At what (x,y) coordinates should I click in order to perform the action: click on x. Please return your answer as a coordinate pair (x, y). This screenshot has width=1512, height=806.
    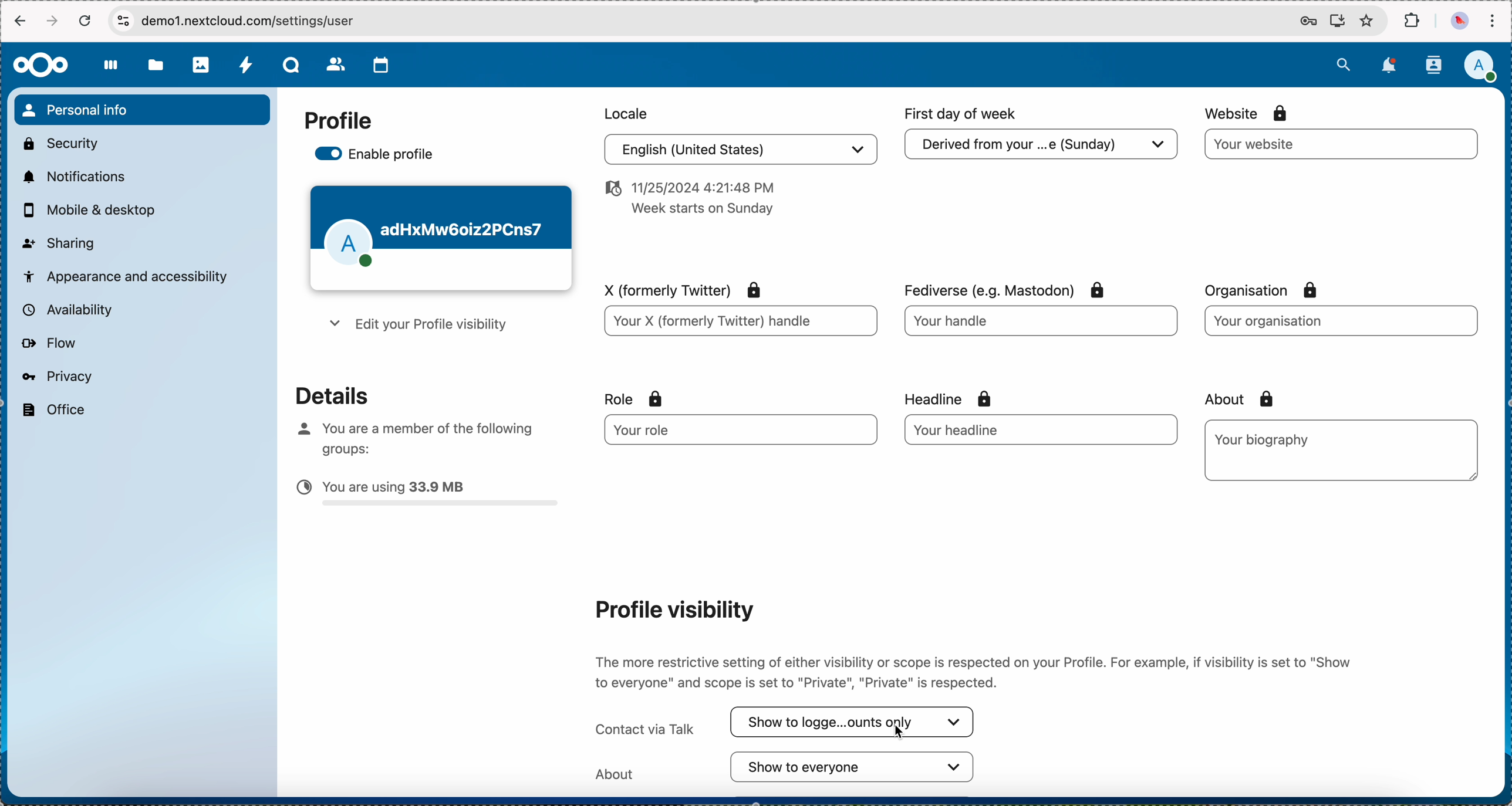
    Looking at the image, I should click on (677, 288).